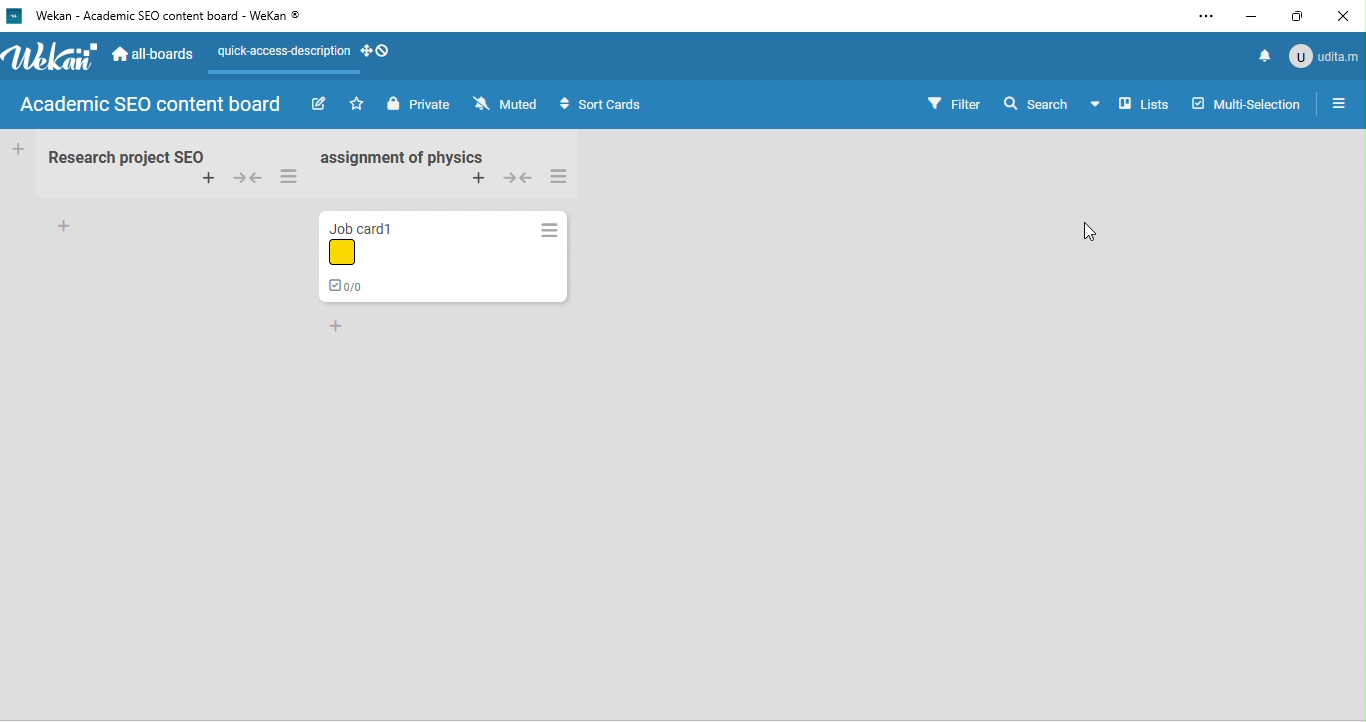 The width and height of the screenshot is (1366, 722). Describe the element at coordinates (209, 180) in the screenshot. I see `add card` at that location.